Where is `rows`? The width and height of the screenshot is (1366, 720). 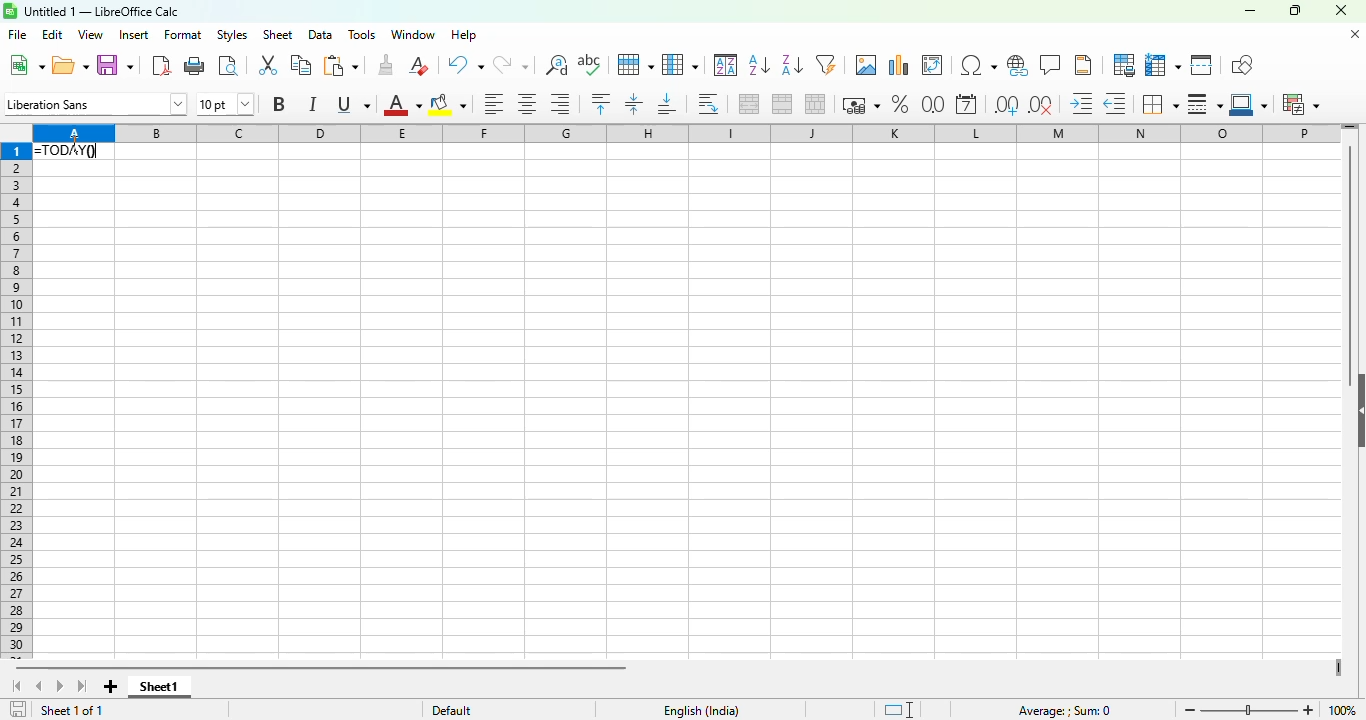 rows is located at coordinates (15, 401).